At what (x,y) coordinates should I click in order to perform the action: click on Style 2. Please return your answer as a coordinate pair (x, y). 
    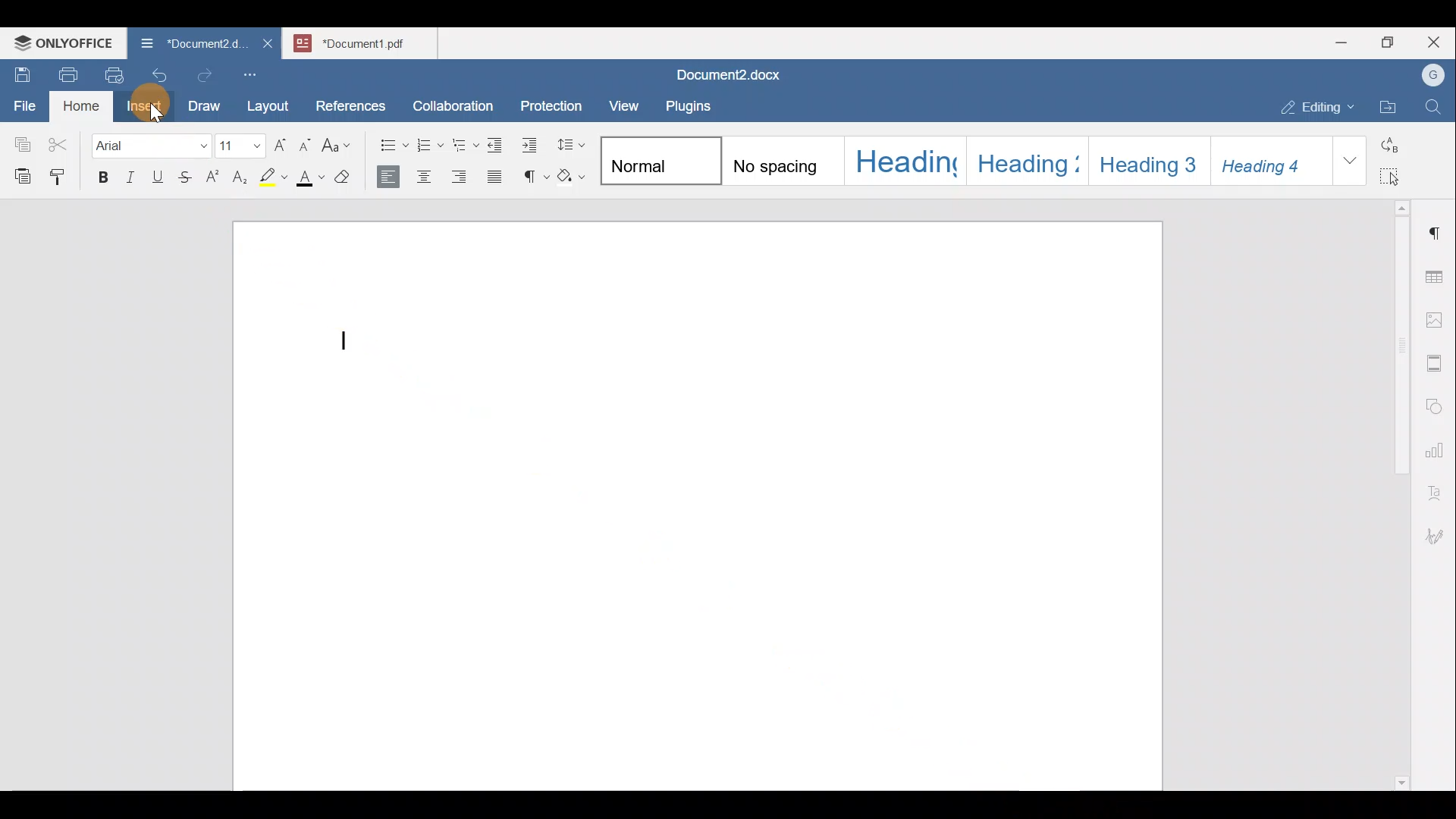
    Looking at the image, I should click on (779, 161).